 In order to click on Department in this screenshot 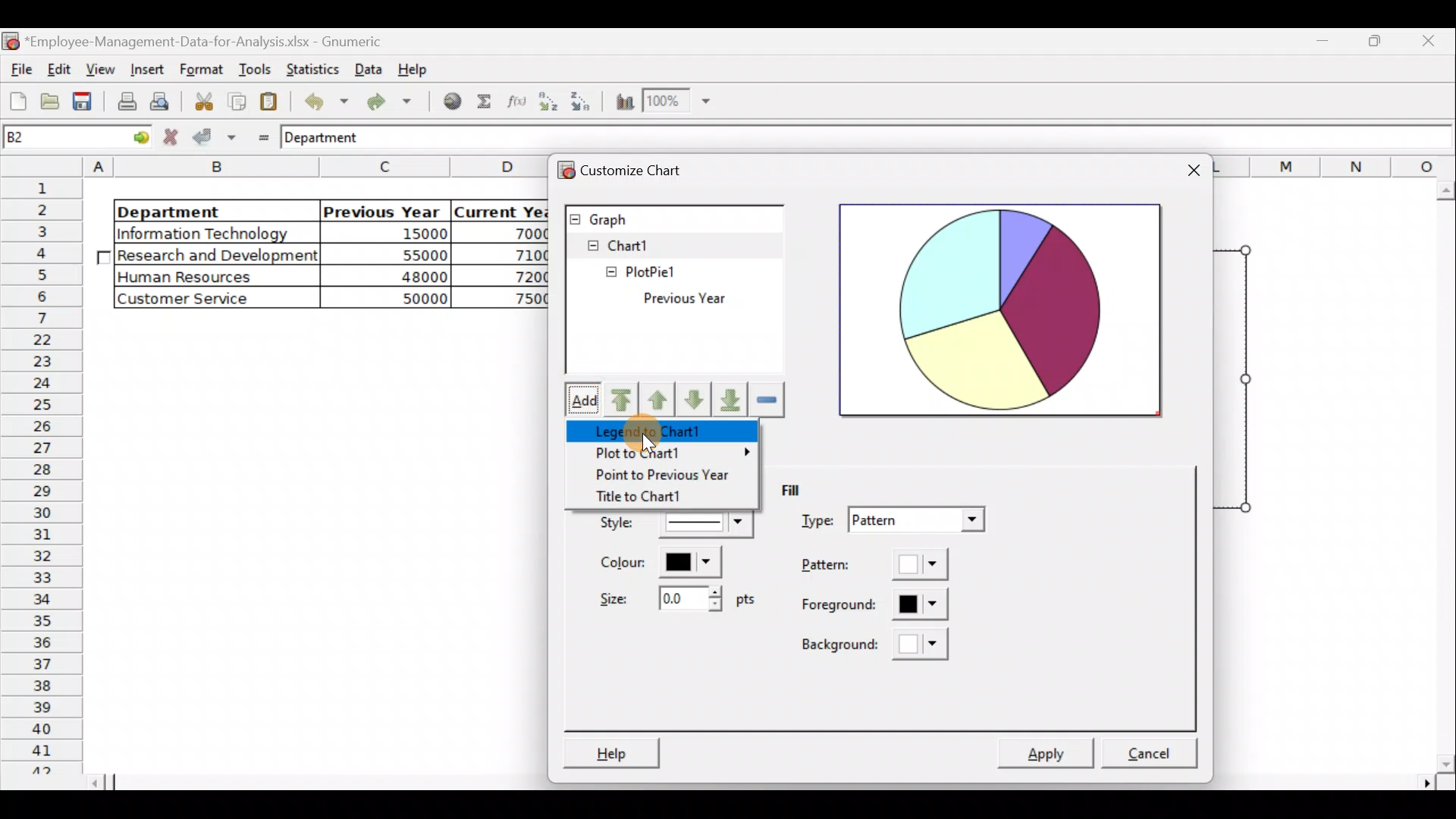, I will do `click(206, 211)`.